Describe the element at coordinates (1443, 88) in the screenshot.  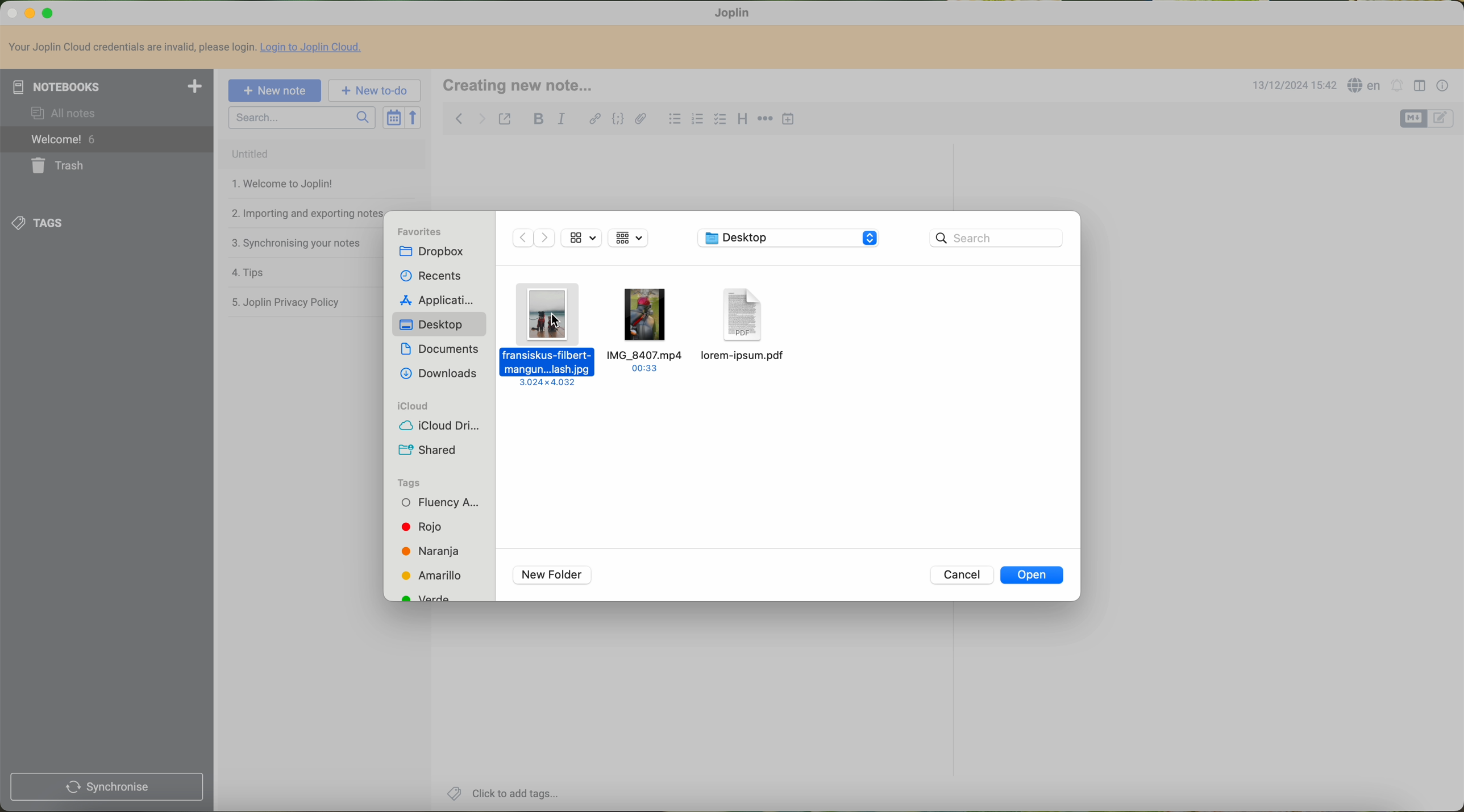
I see `note properties` at that location.